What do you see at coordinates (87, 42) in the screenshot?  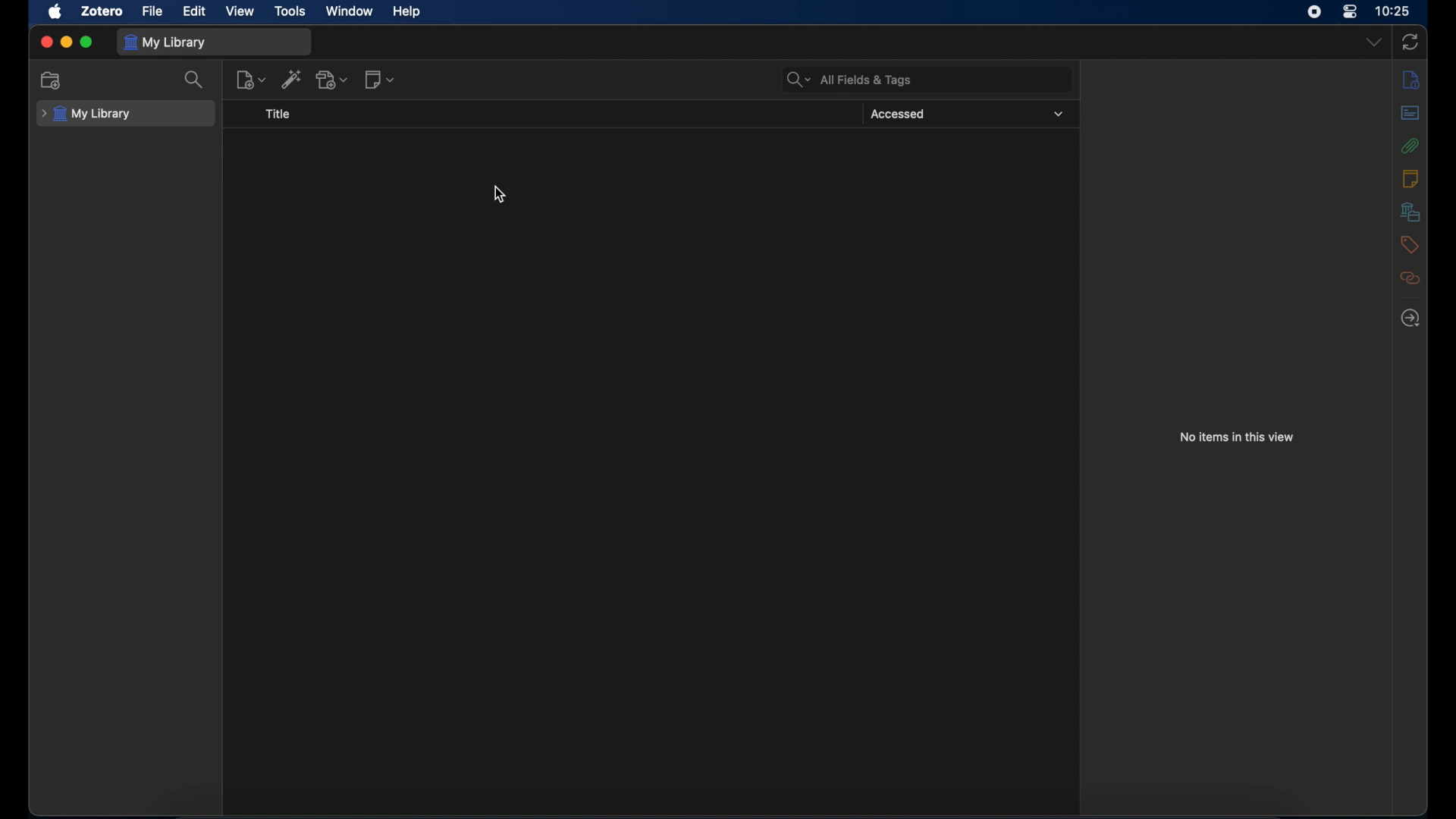 I see `maximize` at bounding box center [87, 42].